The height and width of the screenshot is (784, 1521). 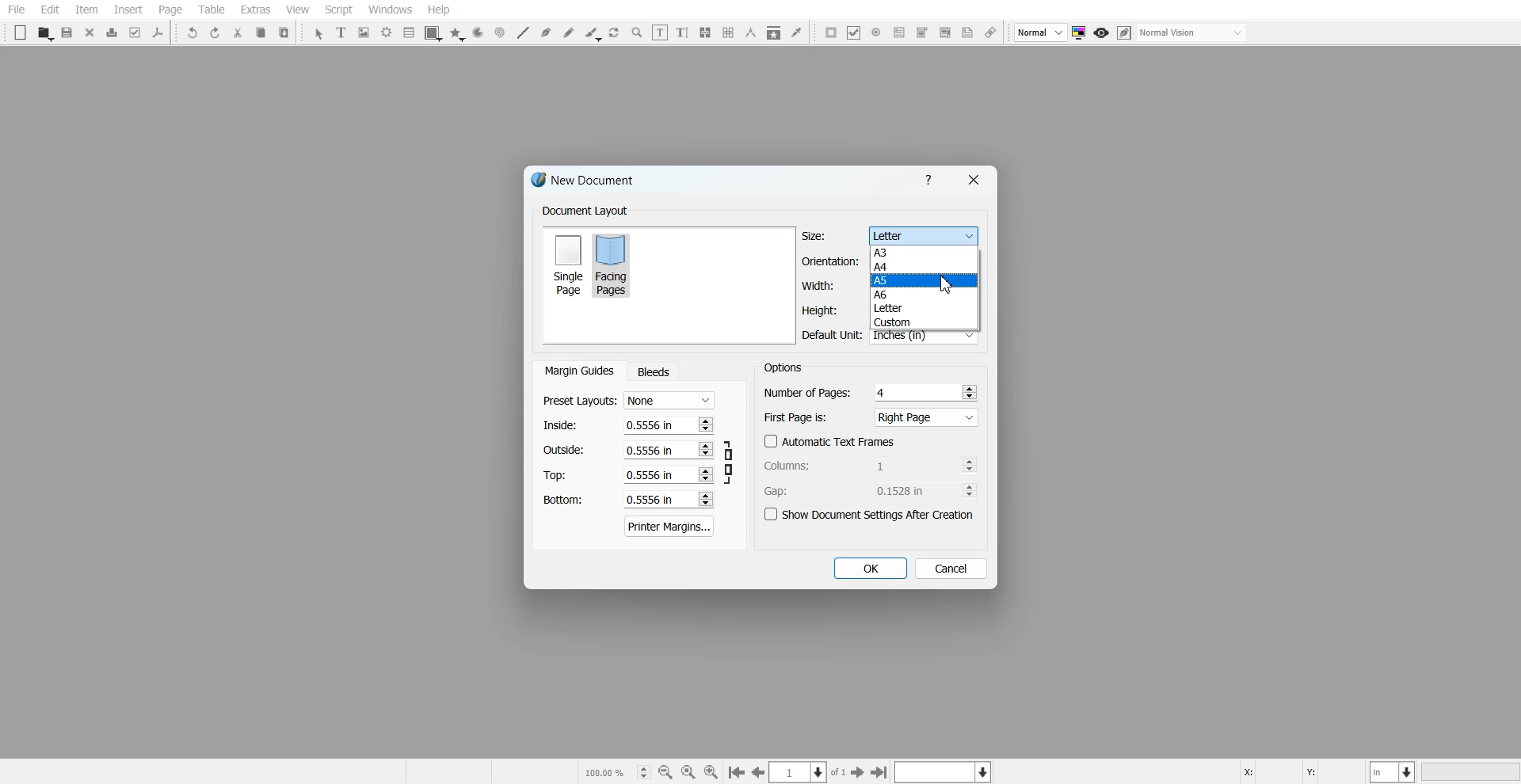 What do you see at coordinates (758, 772) in the screenshot?
I see `Go to the previous page` at bounding box center [758, 772].